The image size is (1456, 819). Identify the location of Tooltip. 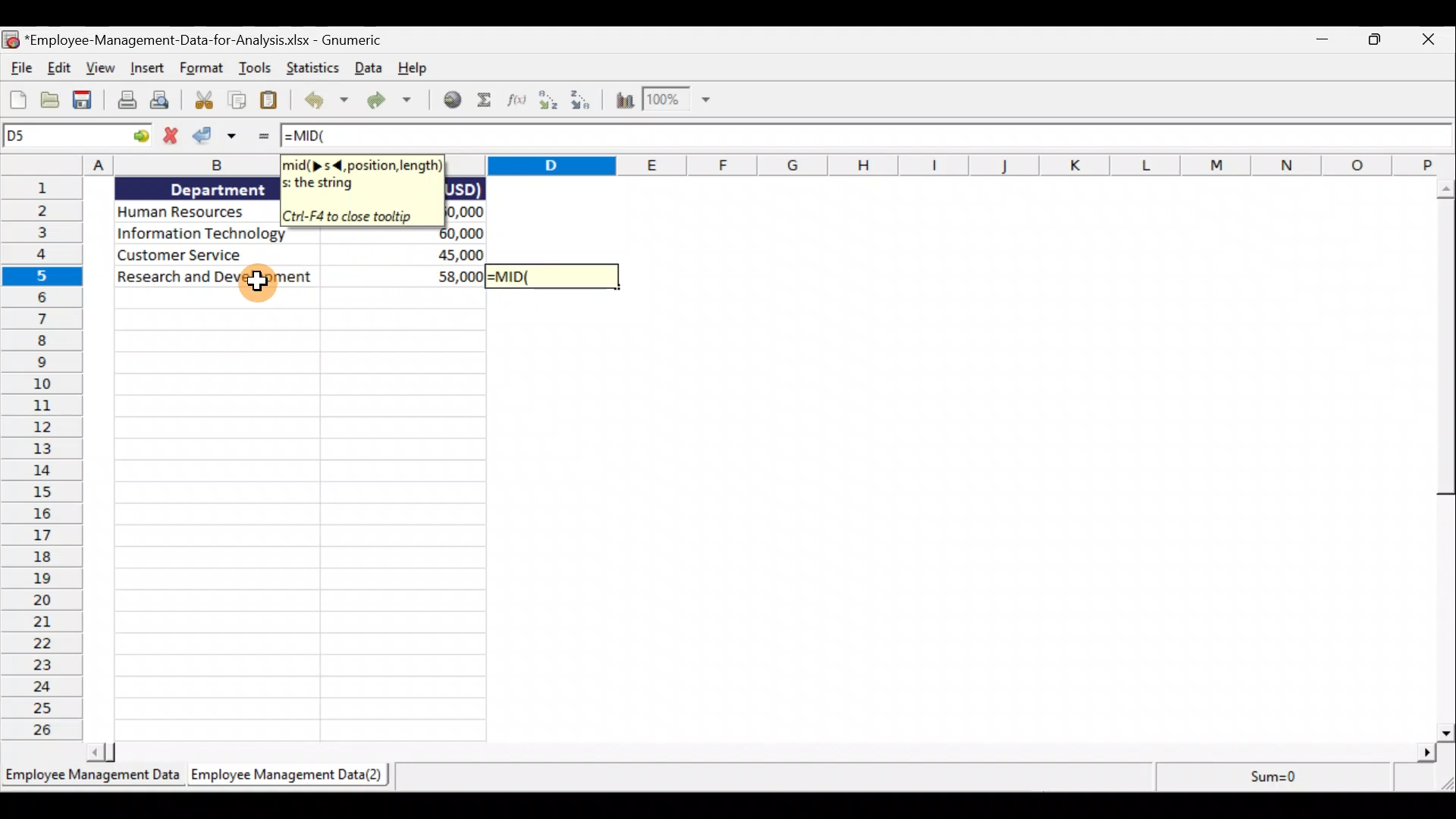
(362, 193).